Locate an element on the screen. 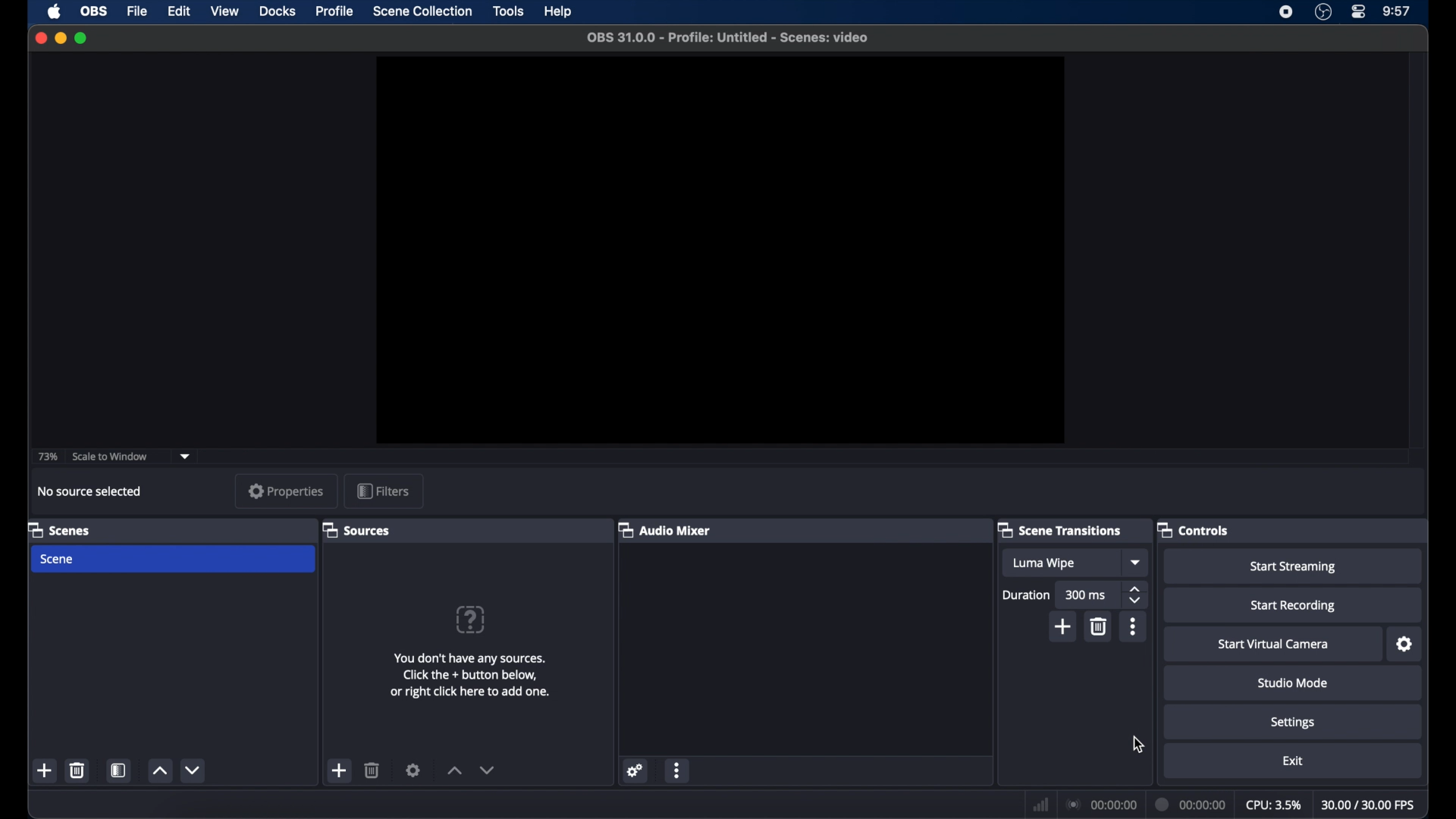 This screenshot has width=1456, height=819. start recording is located at coordinates (1294, 606).